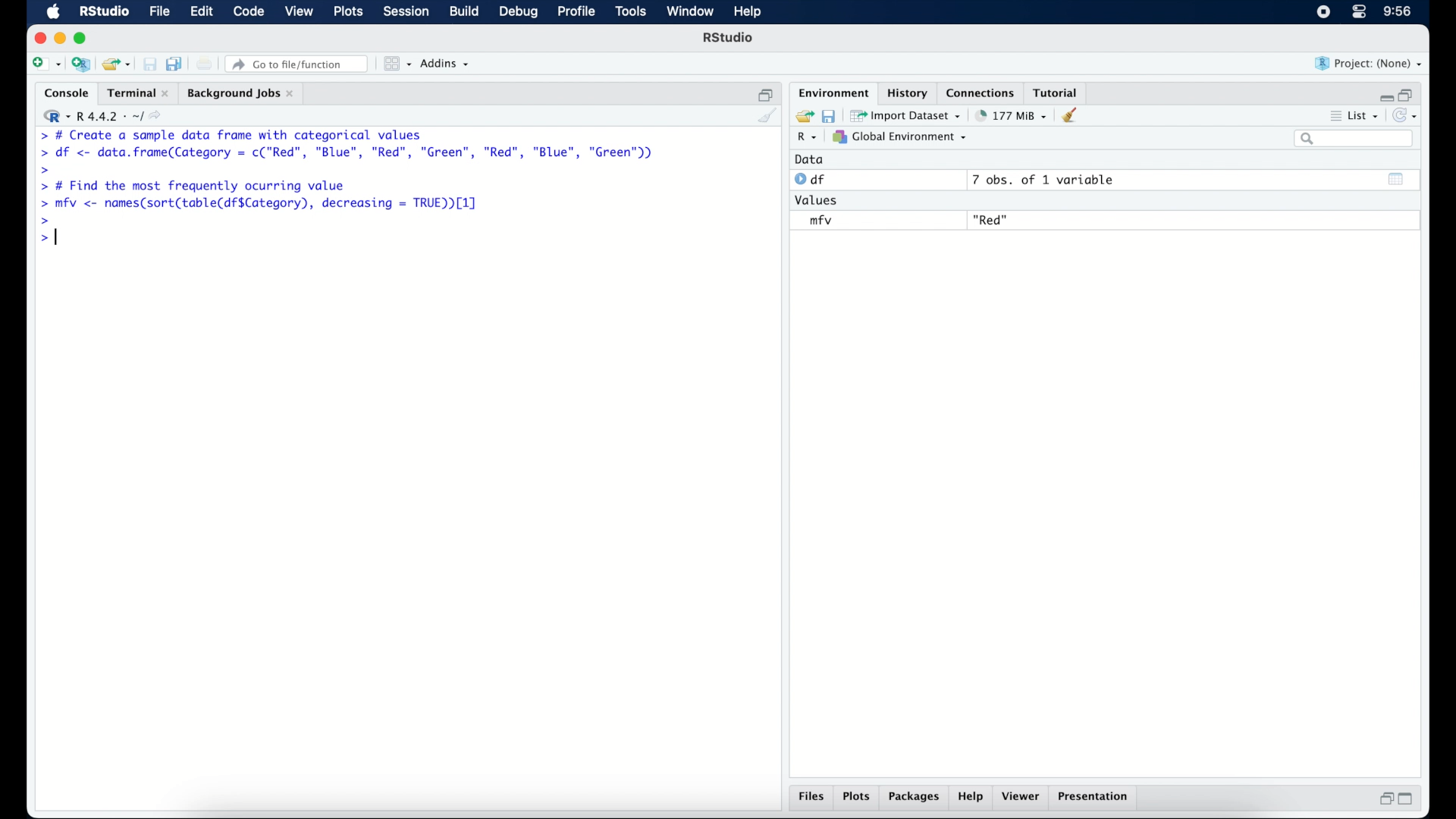 This screenshot has width=1456, height=819. What do you see at coordinates (764, 92) in the screenshot?
I see `restore down` at bounding box center [764, 92].